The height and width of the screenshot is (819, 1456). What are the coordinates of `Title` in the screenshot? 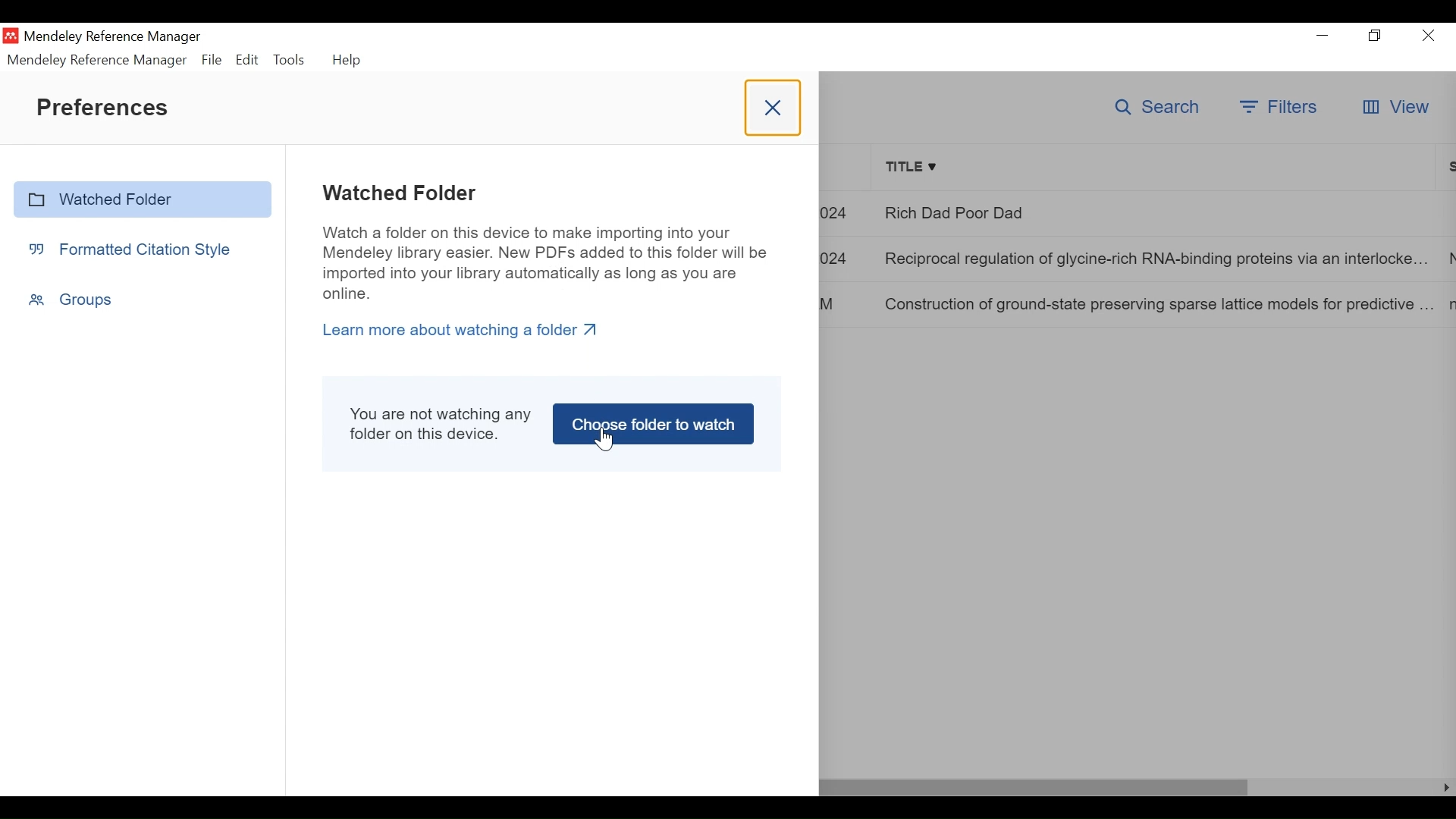 It's located at (1157, 168).